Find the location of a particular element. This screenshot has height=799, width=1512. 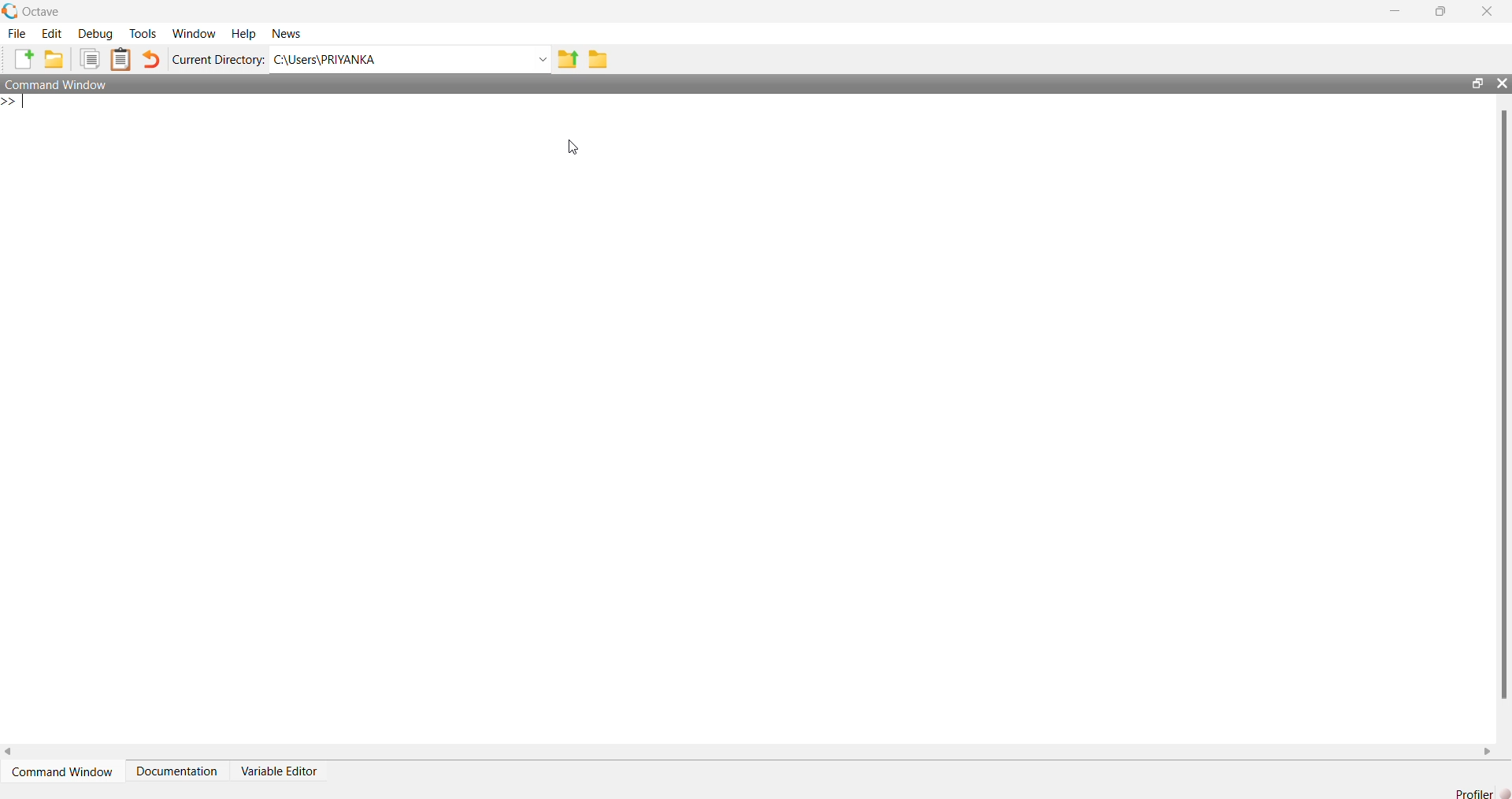

Command Window is located at coordinates (57, 84).